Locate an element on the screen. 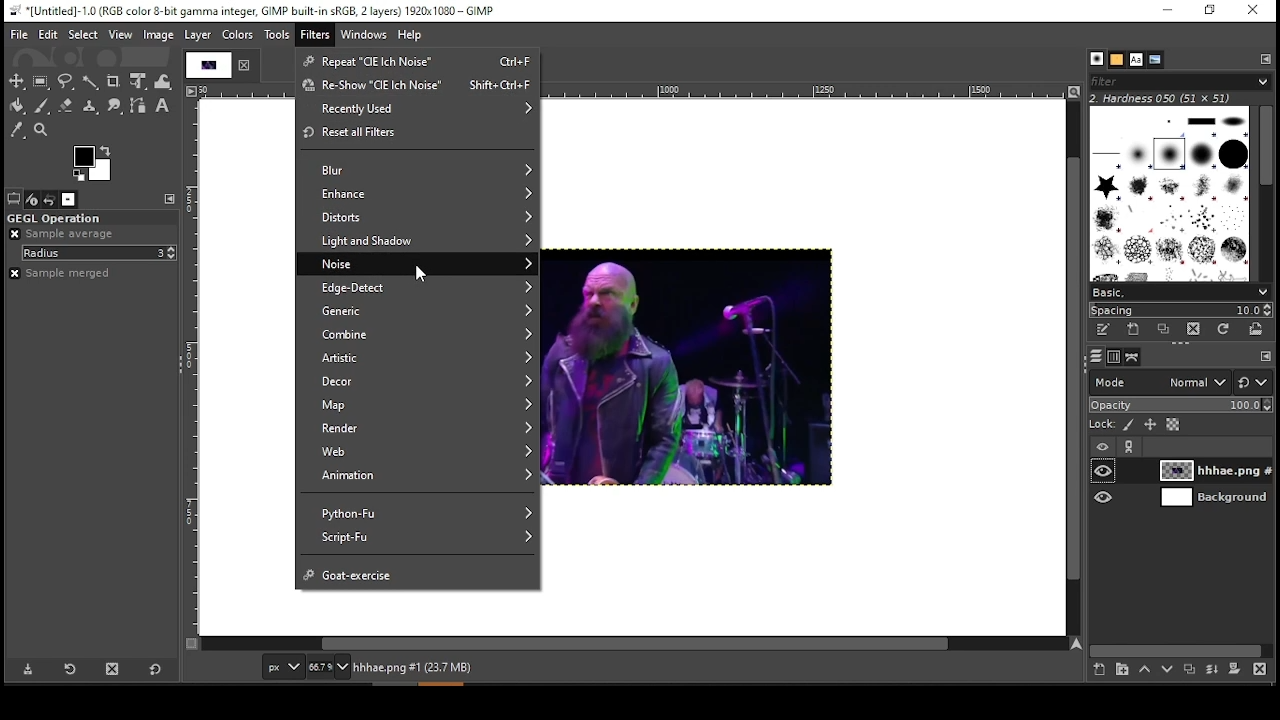  scroll bar is located at coordinates (1264, 193).